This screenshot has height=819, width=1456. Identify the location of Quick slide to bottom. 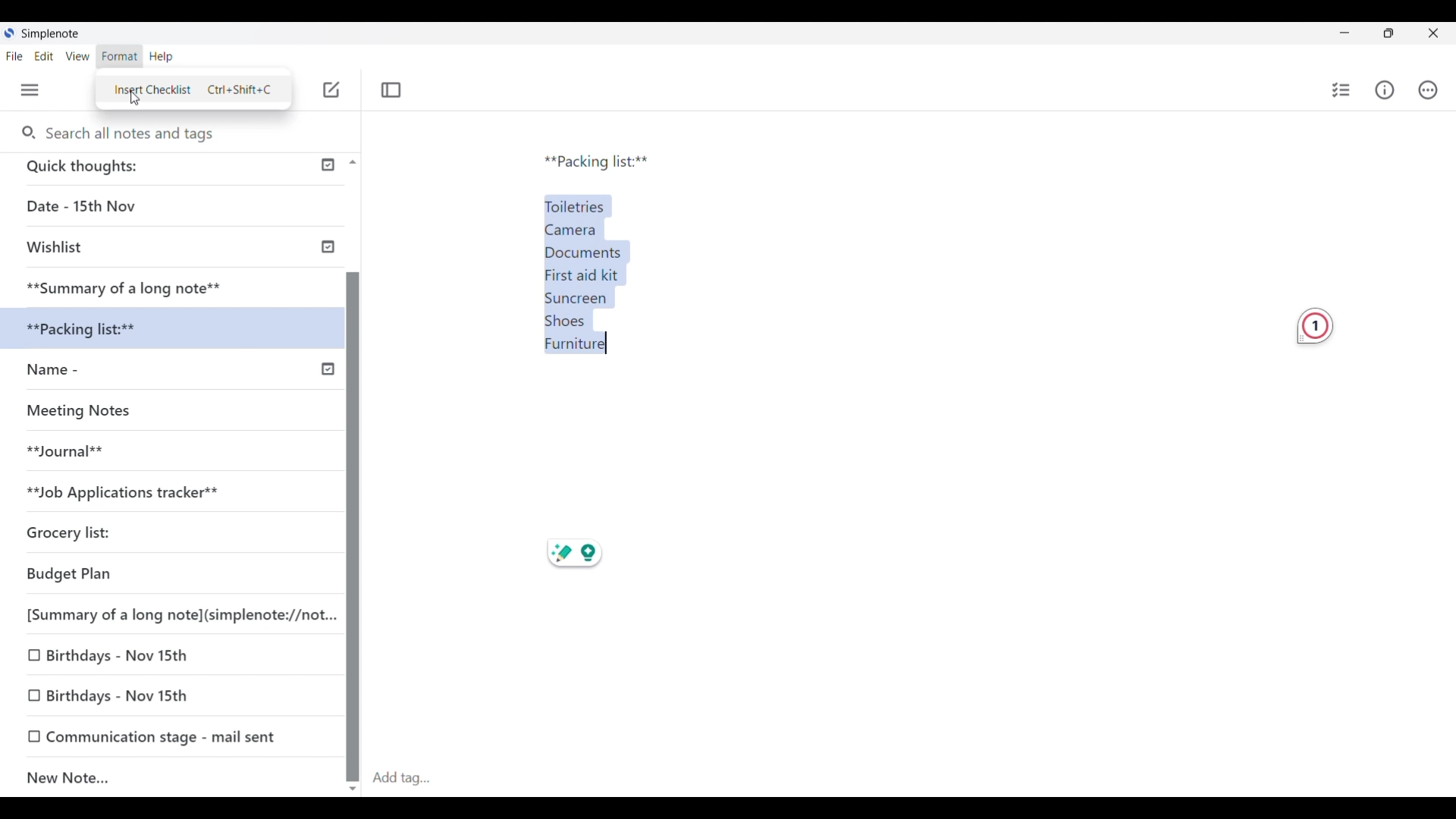
(353, 789).